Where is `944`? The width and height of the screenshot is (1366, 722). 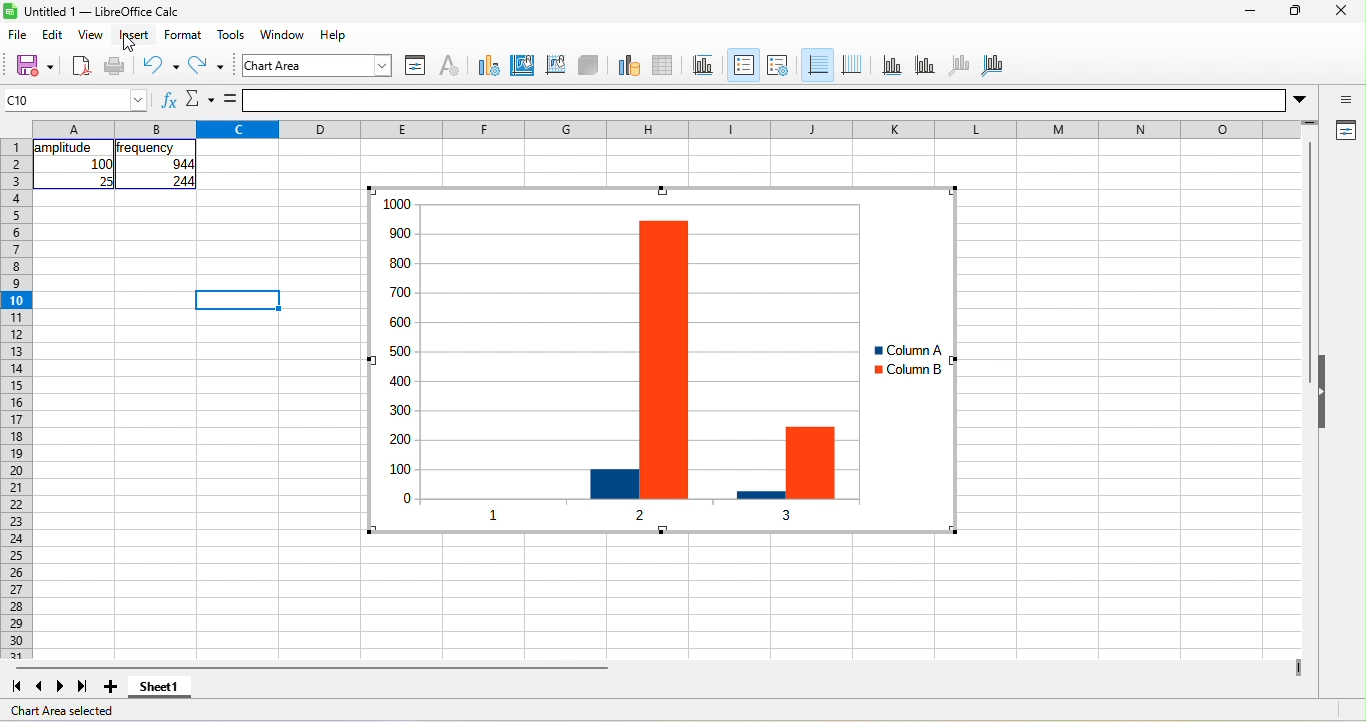
944 is located at coordinates (173, 165).